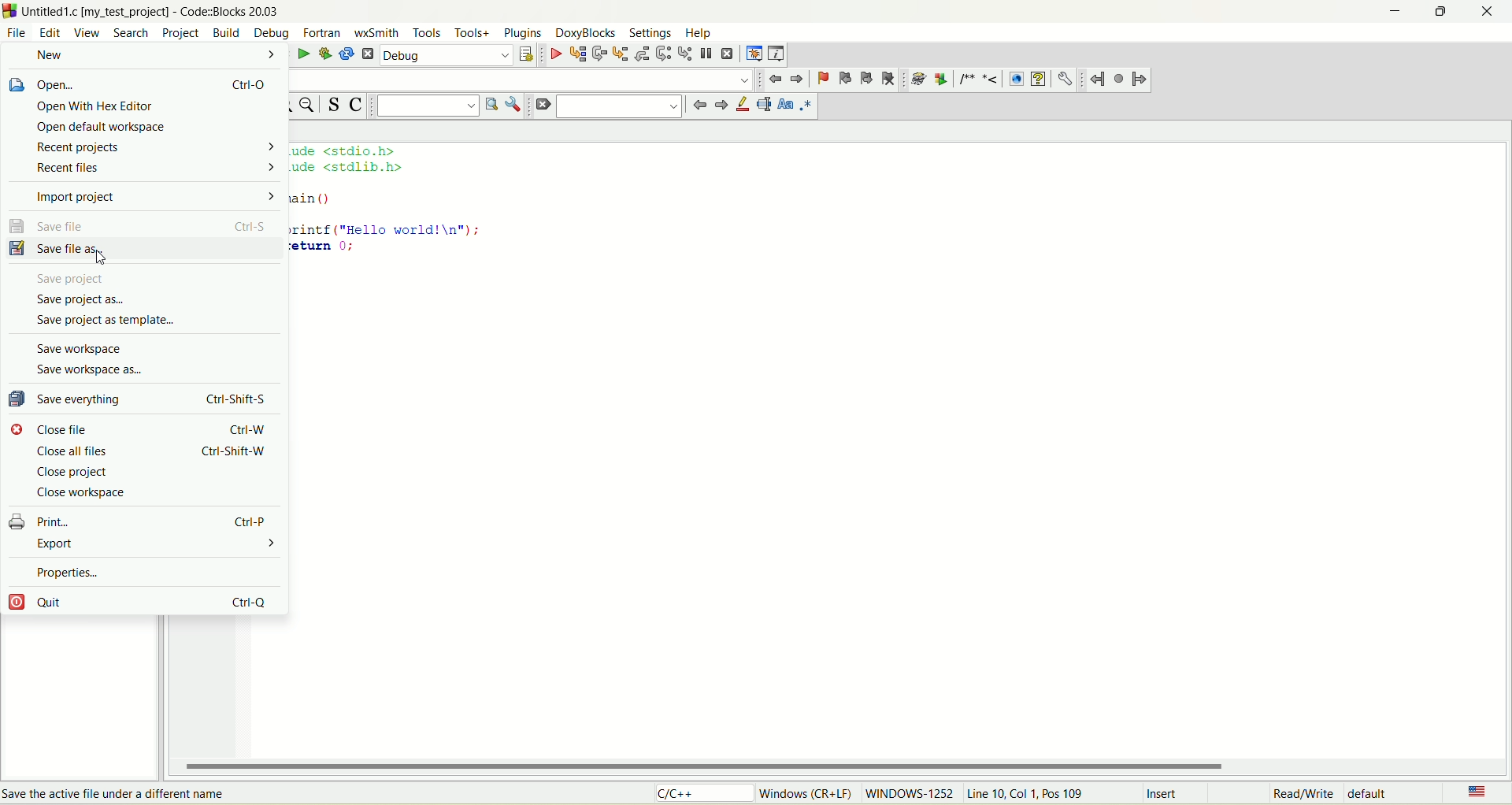 Image resolution: width=1512 pixels, height=805 pixels. What do you see at coordinates (180, 34) in the screenshot?
I see `project` at bounding box center [180, 34].